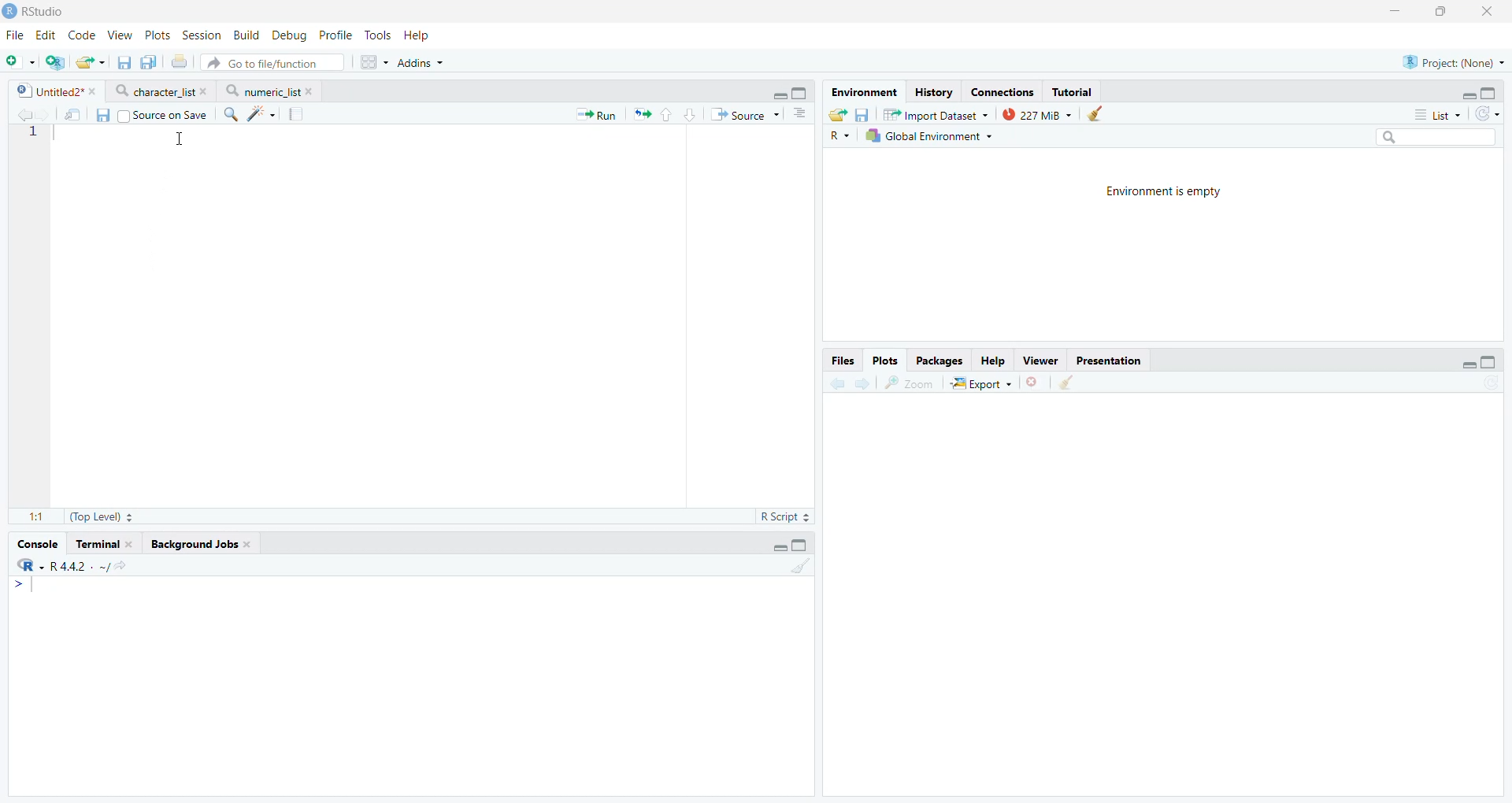 The width and height of the screenshot is (1512, 803). What do you see at coordinates (1469, 362) in the screenshot?
I see `Hide` at bounding box center [1469, 362].